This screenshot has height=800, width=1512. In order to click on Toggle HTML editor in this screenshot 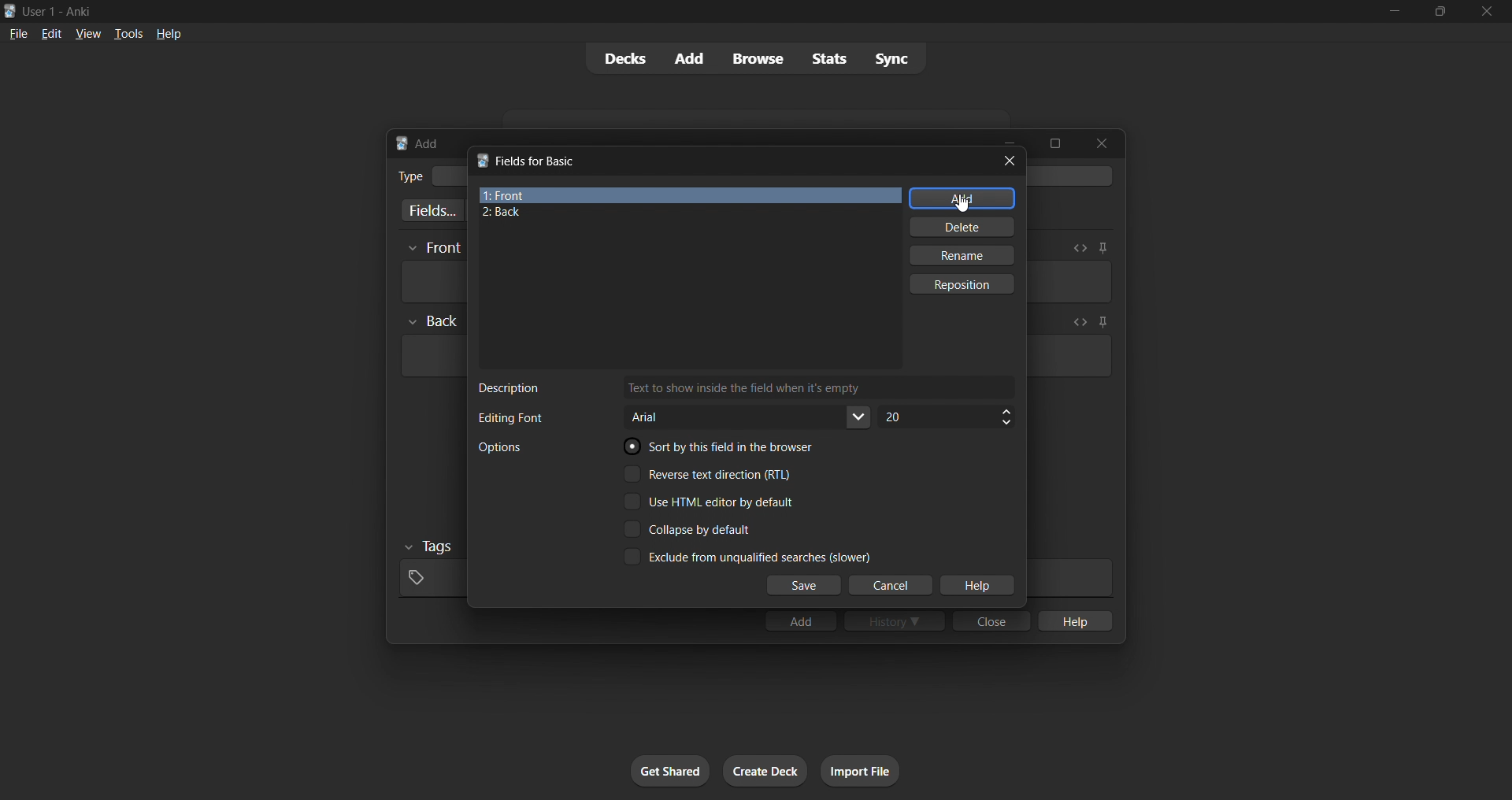, I will do `click(1080, 248)`.